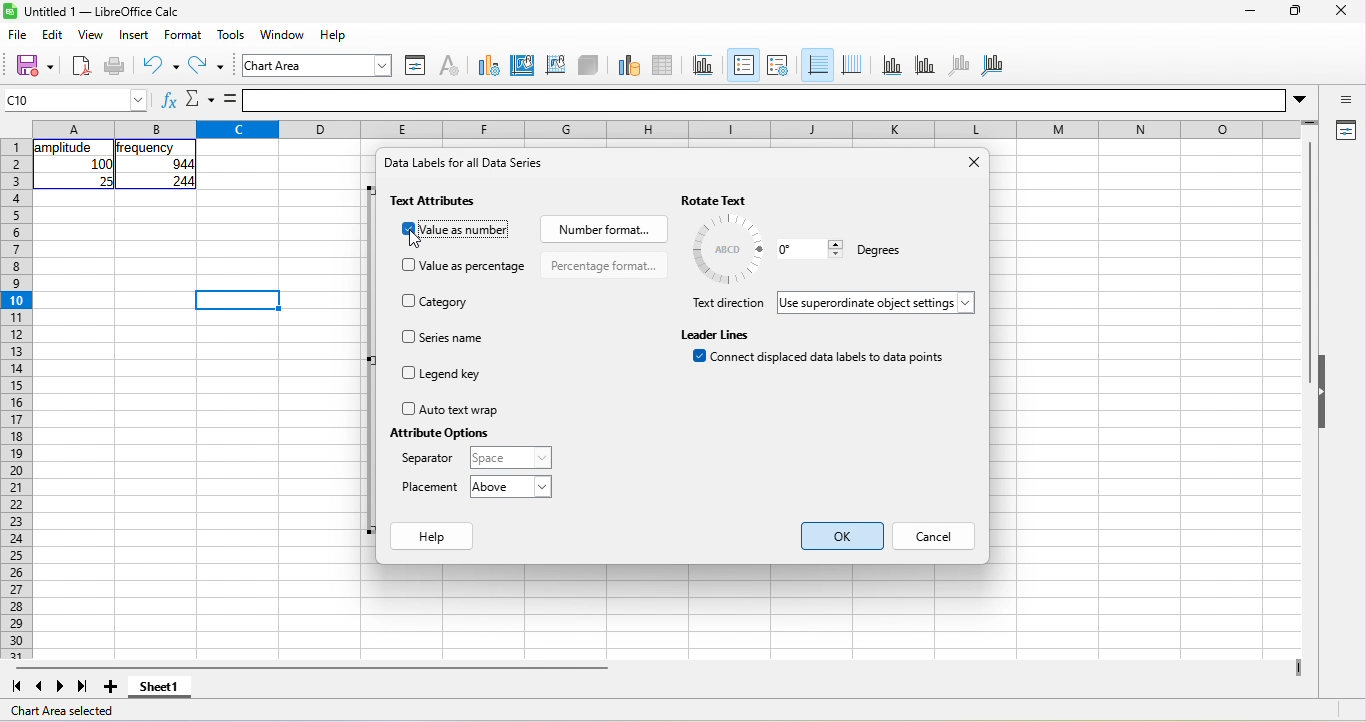 The height and width of the screenshot is (722, 1366). Describe the element at coordinates (448, 65) in the screenshot. I see `character` at that location.